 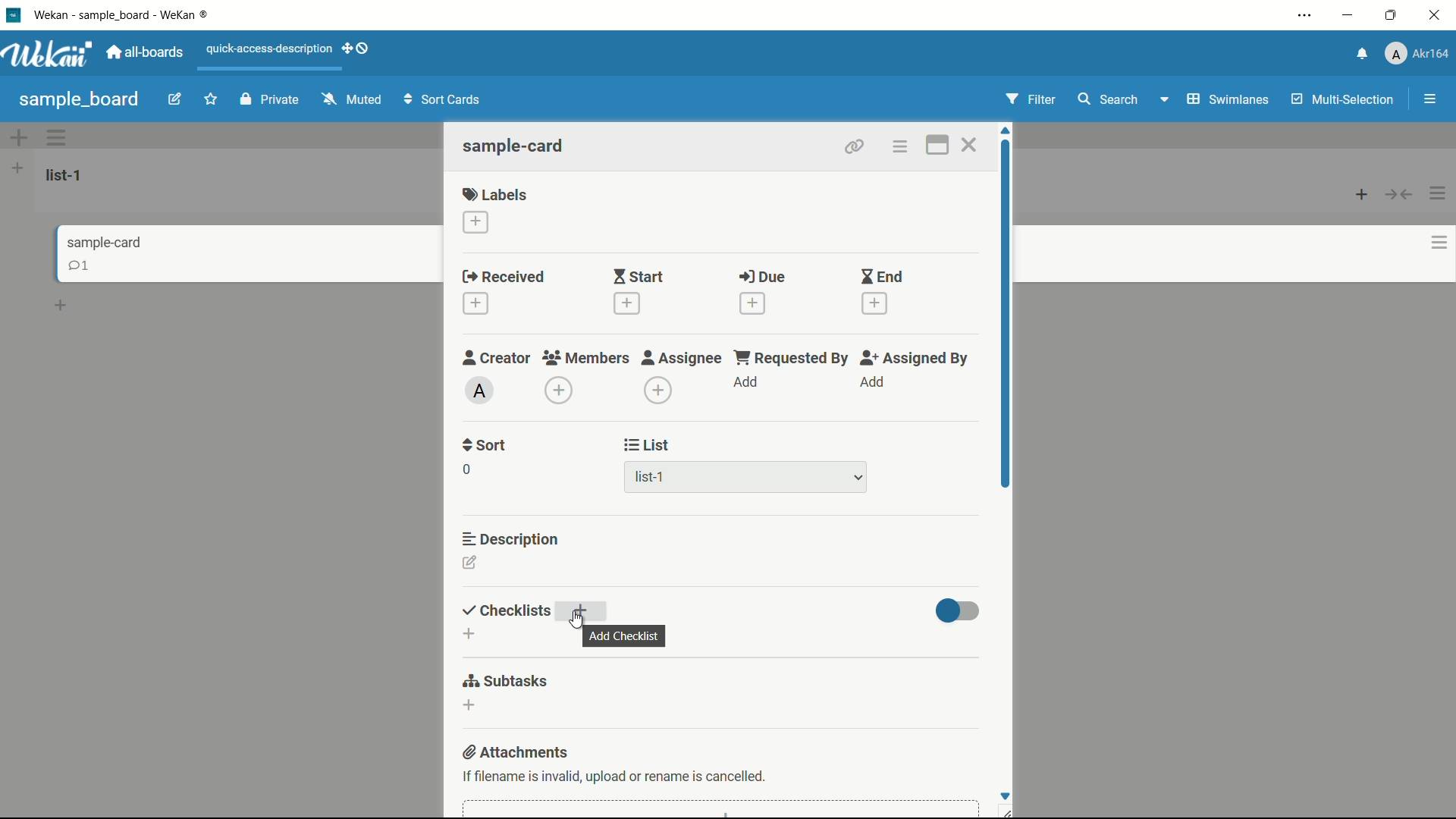 I want to click on copy card link to clipboard, so click(x=855, y=148).